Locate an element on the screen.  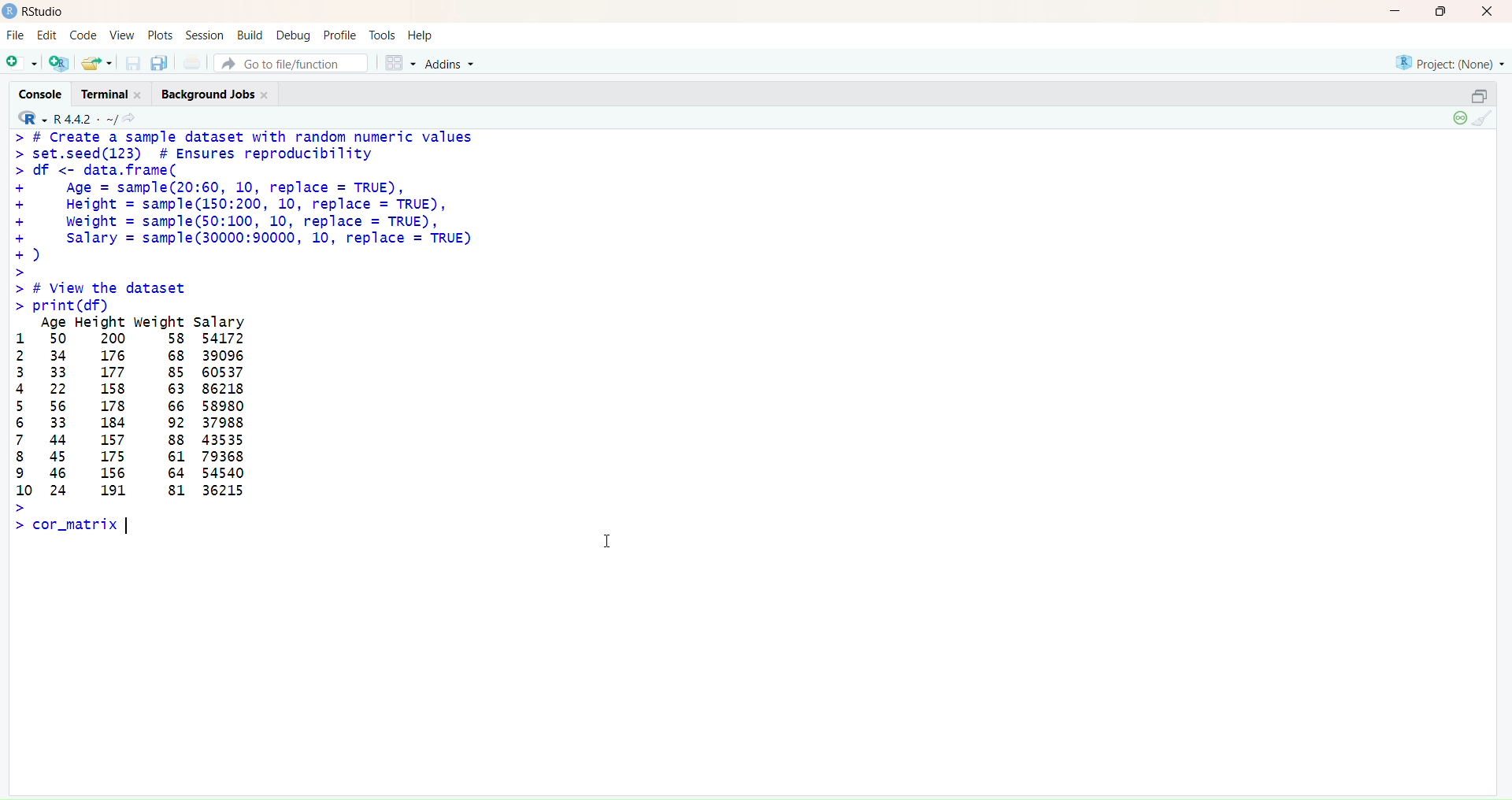
Text cursor is located at coordinates (608, 538).